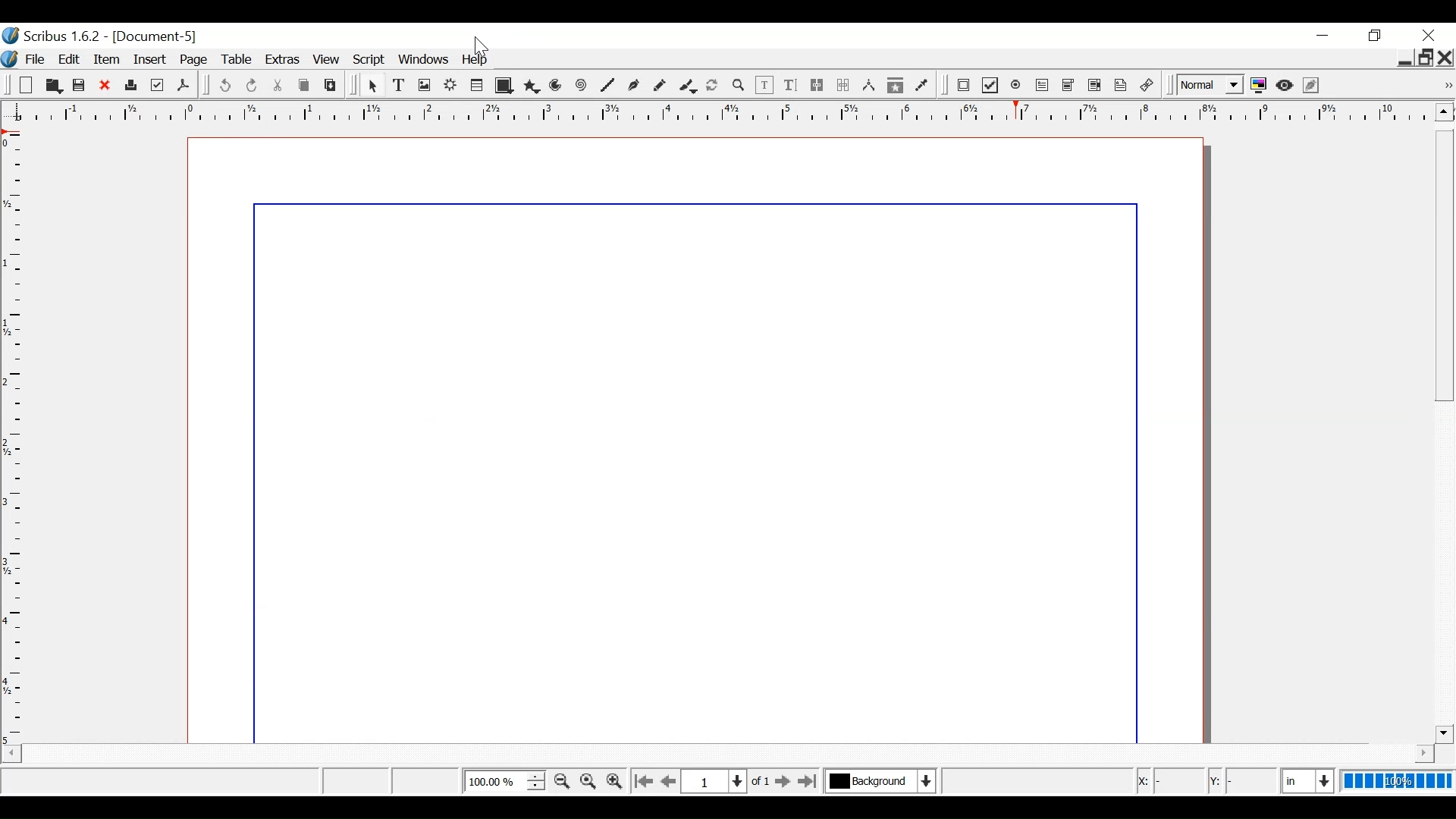 The image size is (1456, 819). Describe the element at coordinates (130, 86) in the screenshot. I see `Print` at that location.